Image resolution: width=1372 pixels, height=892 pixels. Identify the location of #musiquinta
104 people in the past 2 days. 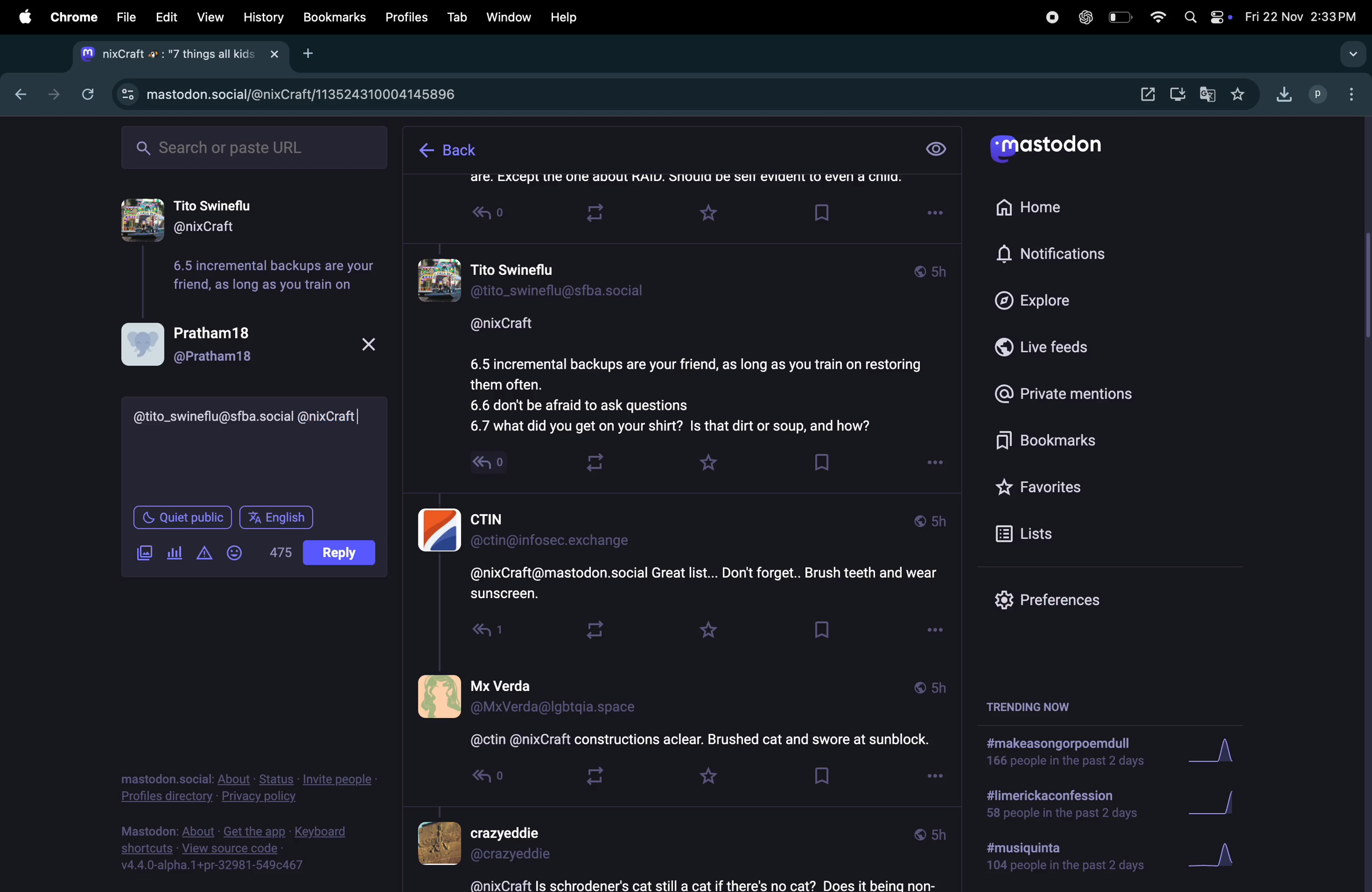
(1059, 860).